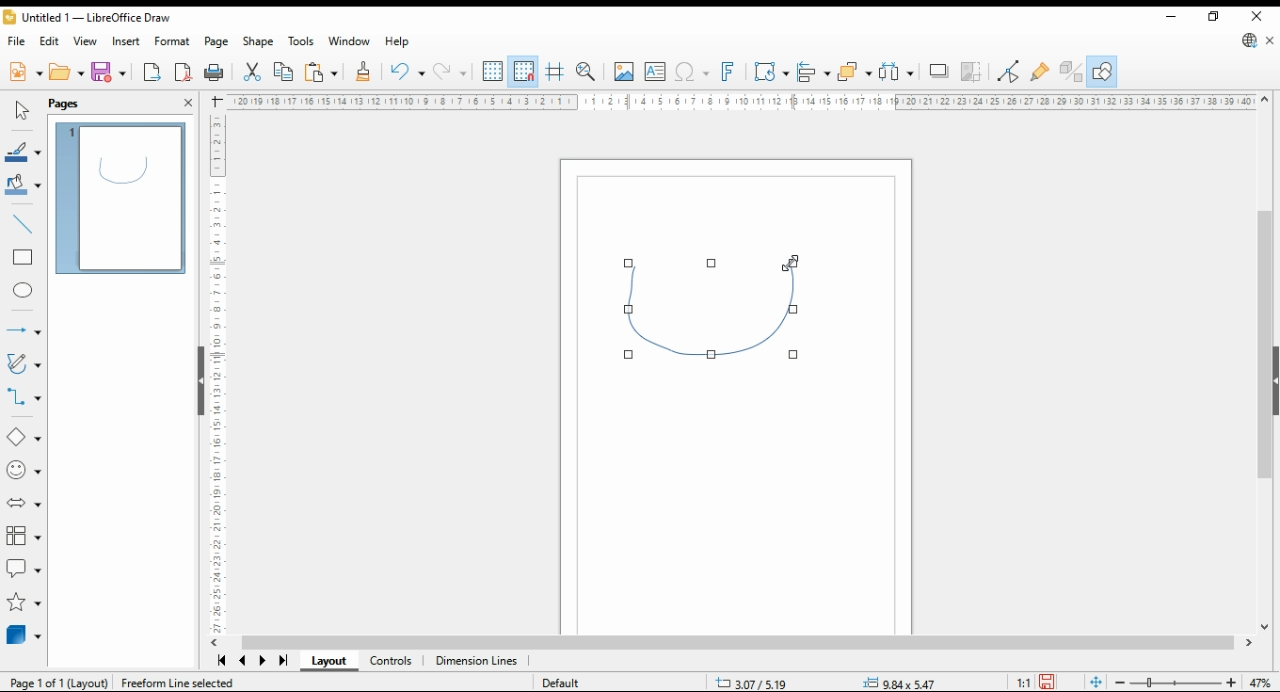 The image size is (1280, 692). What do you see at coordinates (655, 73) in the screenshot?
I see `insert text box` at bounding box center [655, 73].